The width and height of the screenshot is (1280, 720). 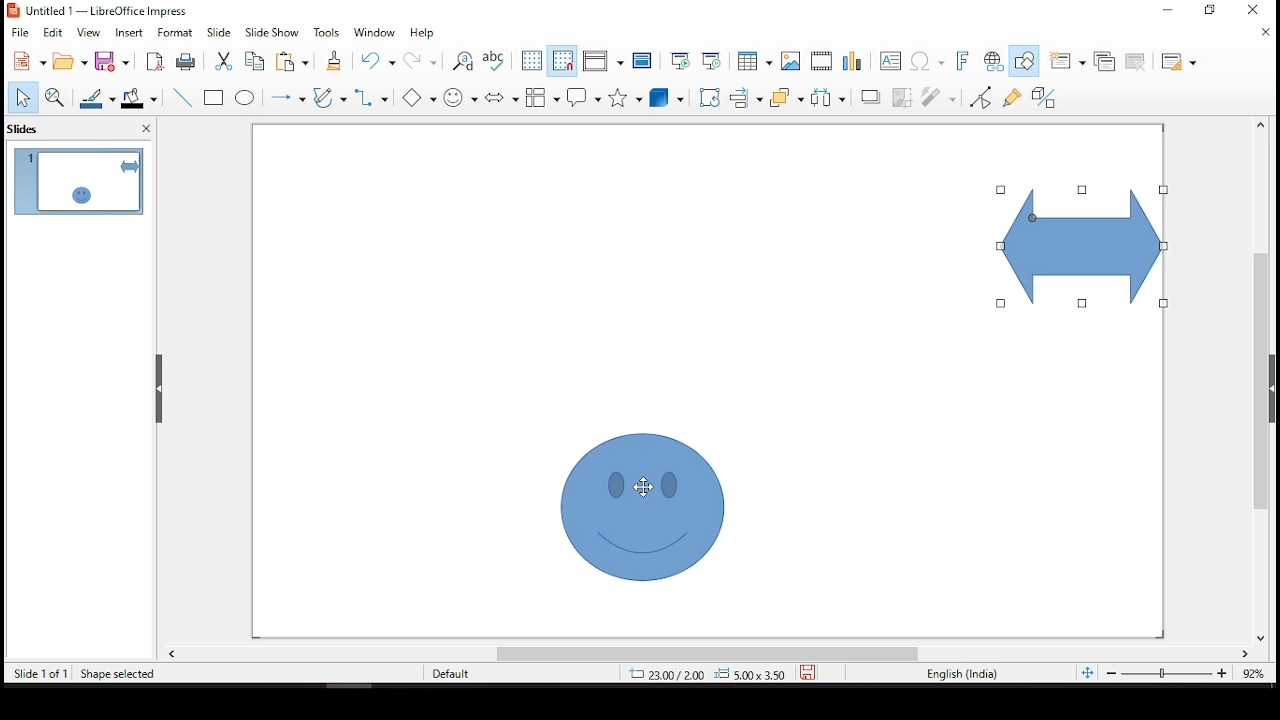 I want to click on undo, so click(x=379, y=62).